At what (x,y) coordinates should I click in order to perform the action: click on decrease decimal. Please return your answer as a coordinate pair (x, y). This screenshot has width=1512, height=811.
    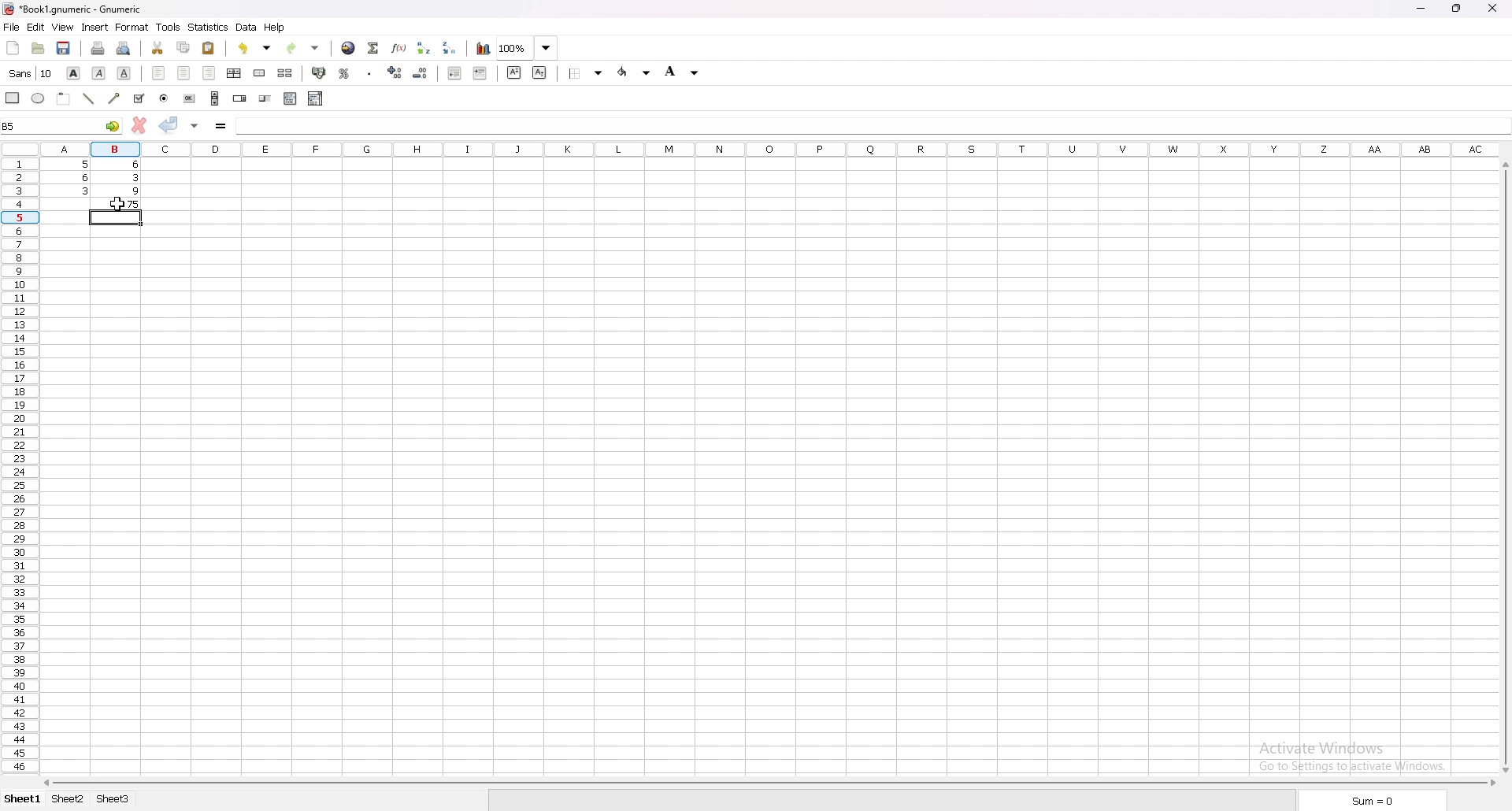
    Looking at the image, I should click on (421, 72).